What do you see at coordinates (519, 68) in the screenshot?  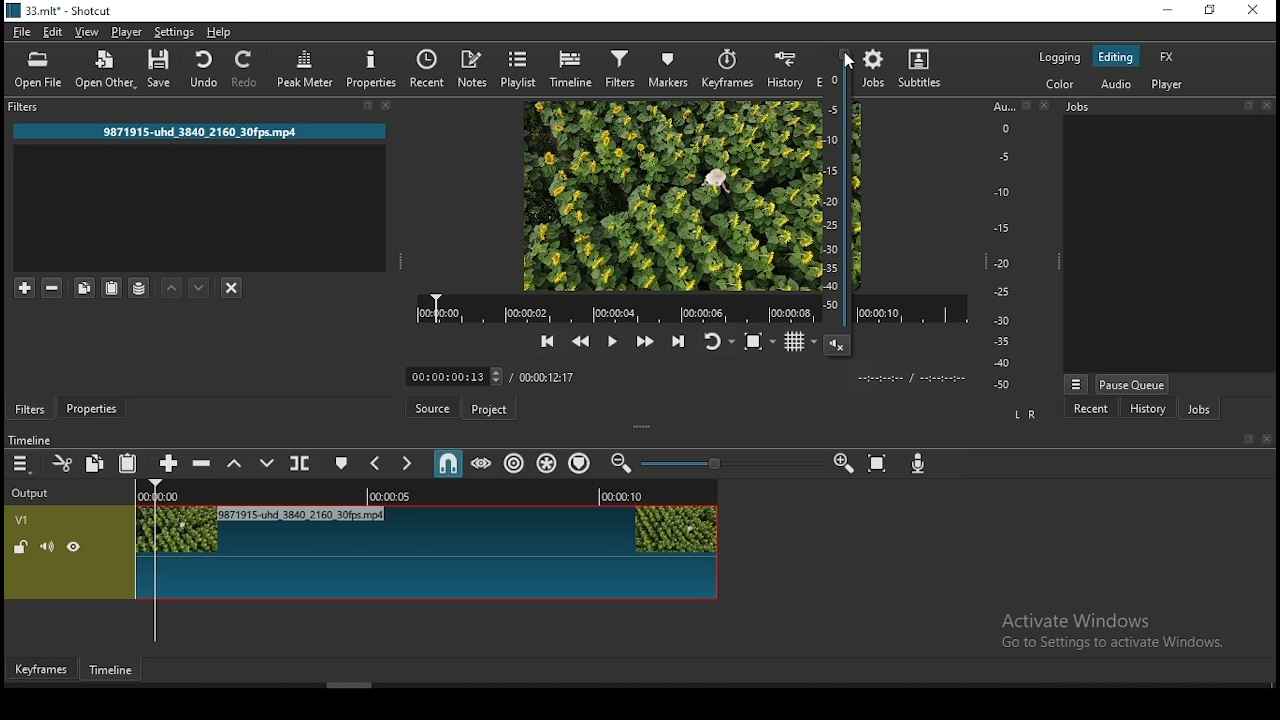 I see `playlist` at bounding box center [519, 68].